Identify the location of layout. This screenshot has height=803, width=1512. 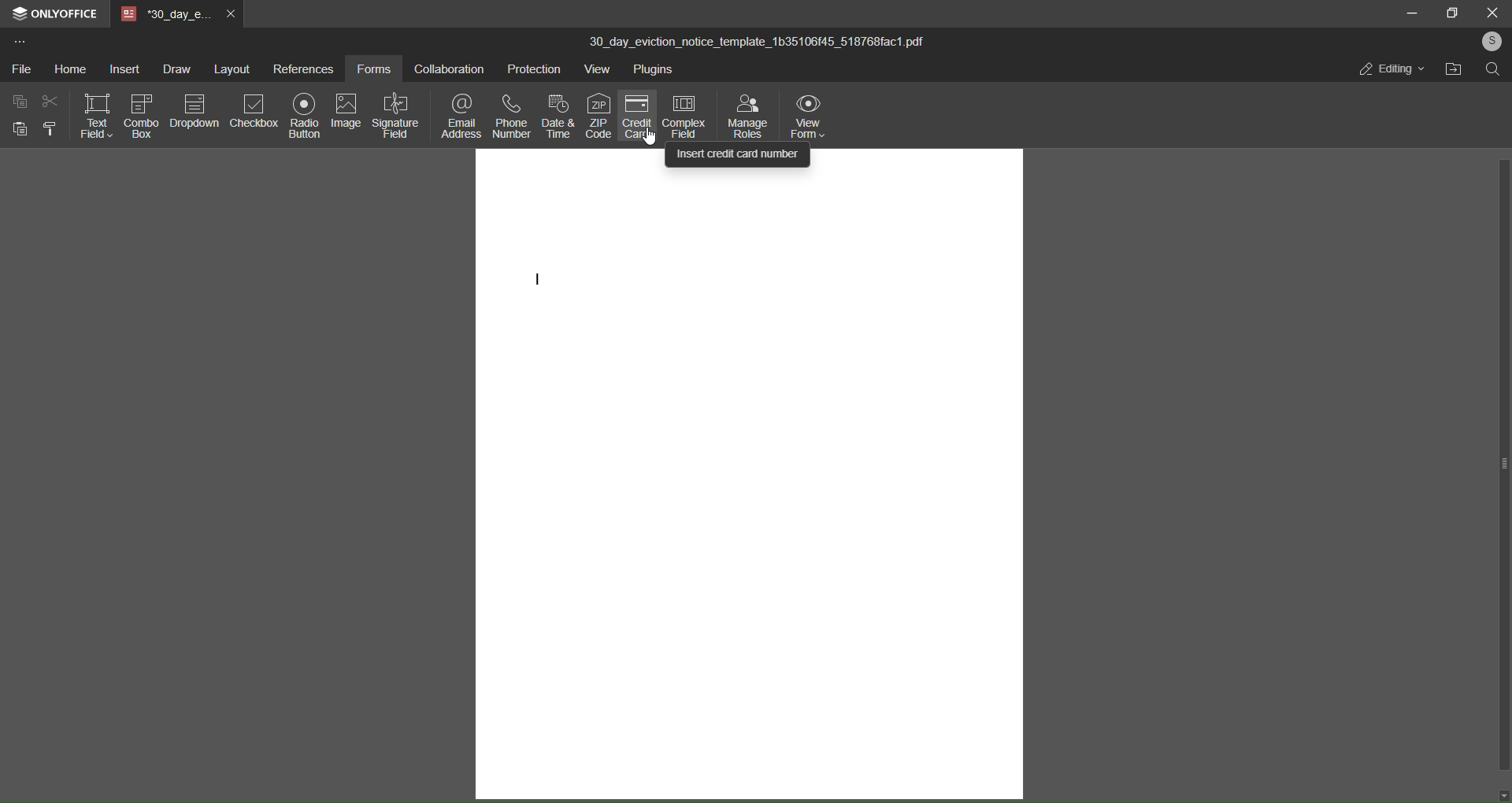
(230, 68).